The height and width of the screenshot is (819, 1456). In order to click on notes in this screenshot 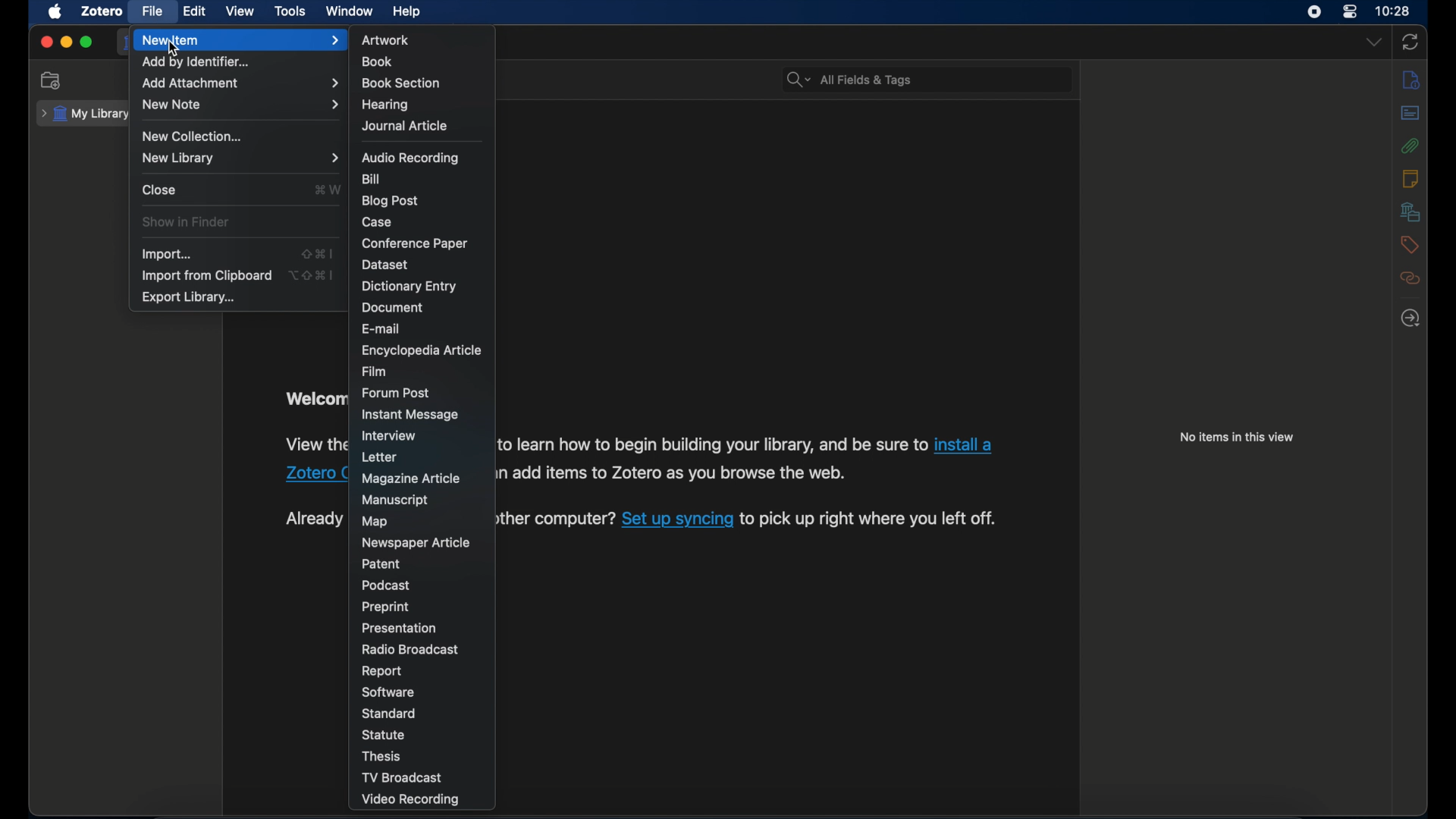, I will do `click(1410, 179)`.